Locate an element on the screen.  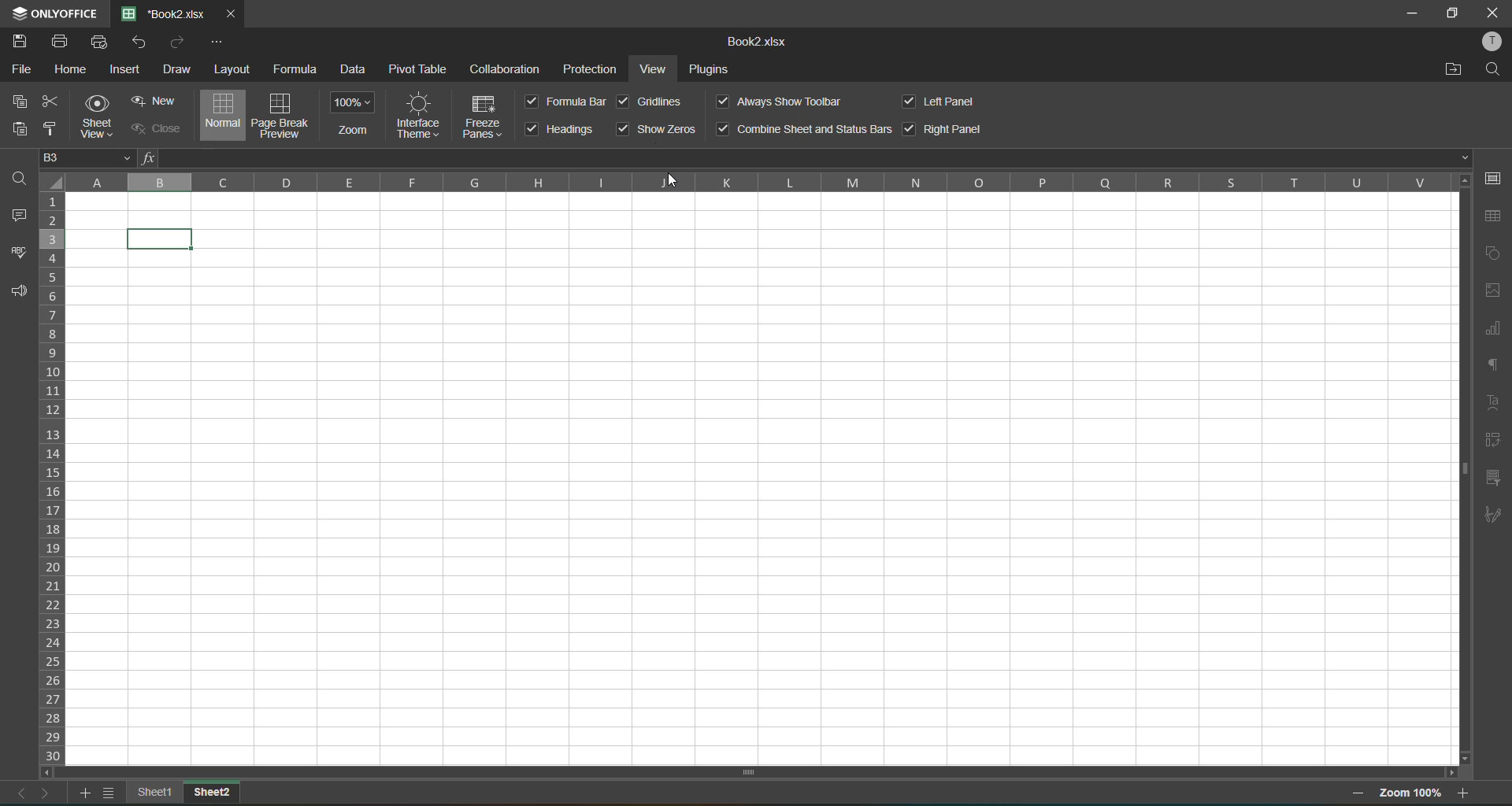
copy is located at coordinates (24, 102).